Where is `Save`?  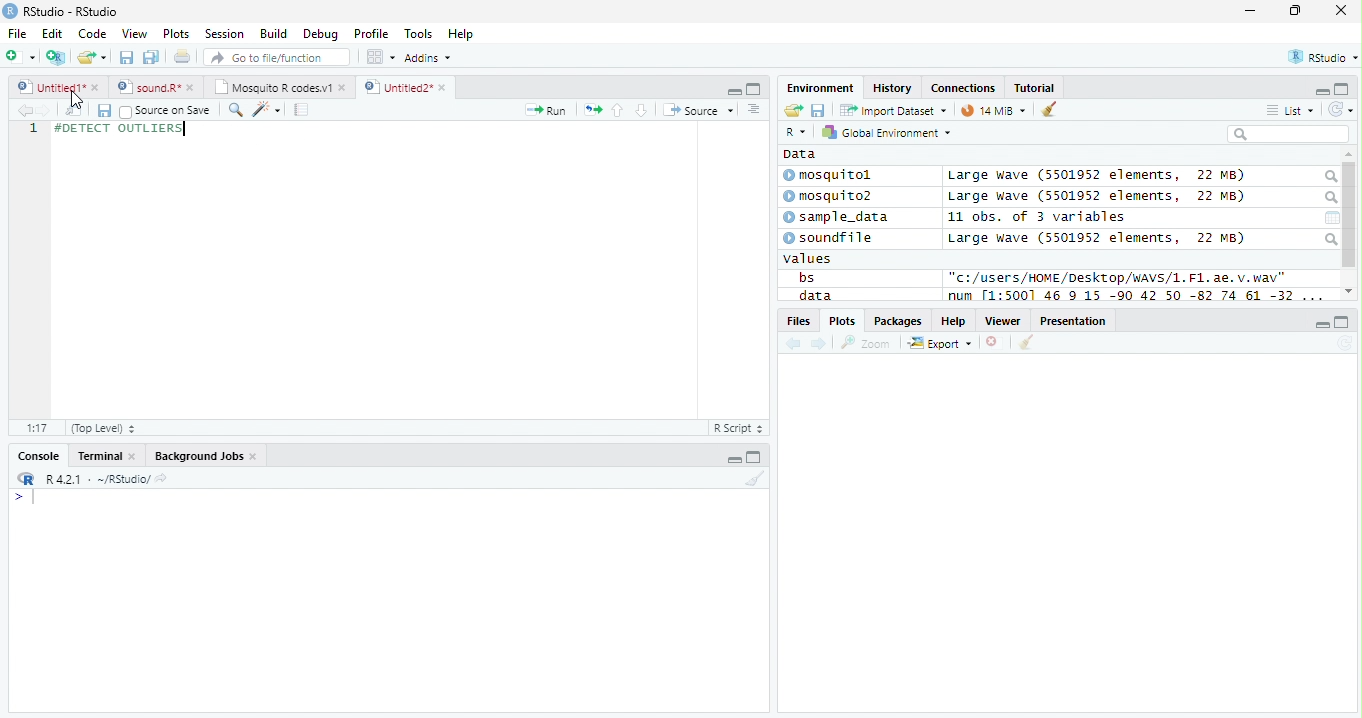
Save is located at coordinates (818, 110).